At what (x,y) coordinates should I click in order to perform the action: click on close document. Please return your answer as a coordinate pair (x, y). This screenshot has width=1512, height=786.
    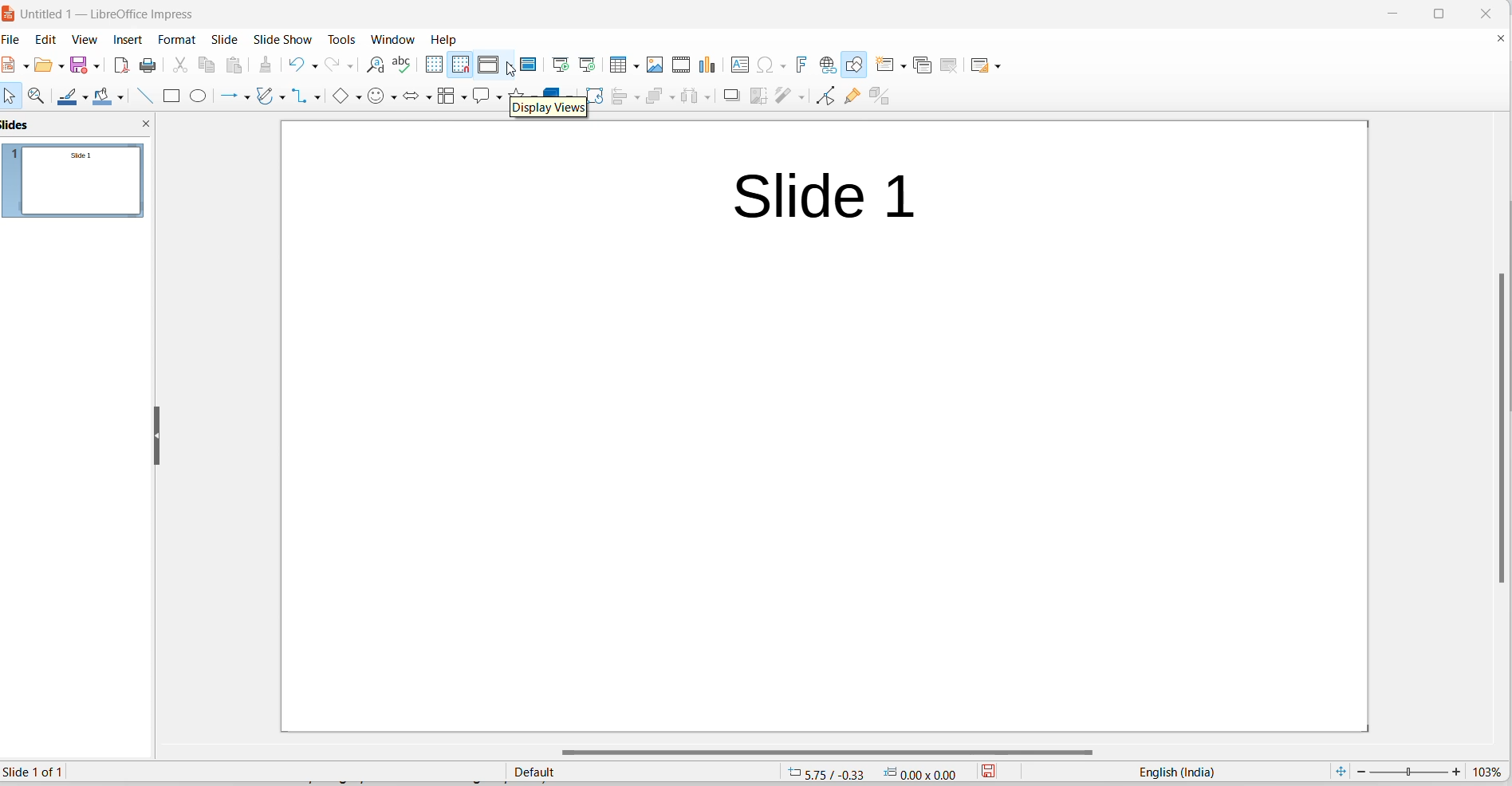
    Looking at the image, I should click on (1501, 39).